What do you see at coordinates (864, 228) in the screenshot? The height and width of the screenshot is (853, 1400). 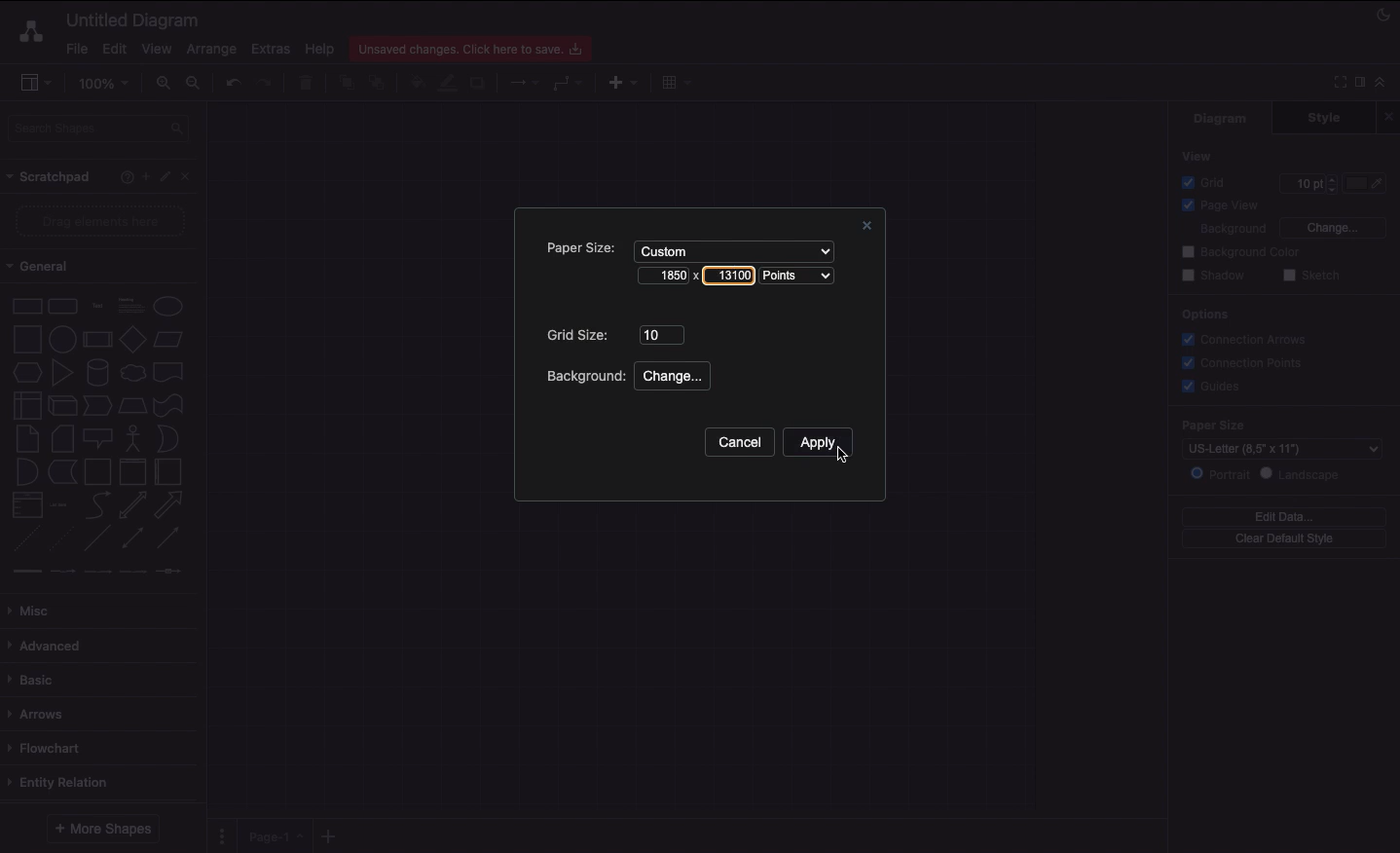 I see `Close` at bounding box center [864, 228].